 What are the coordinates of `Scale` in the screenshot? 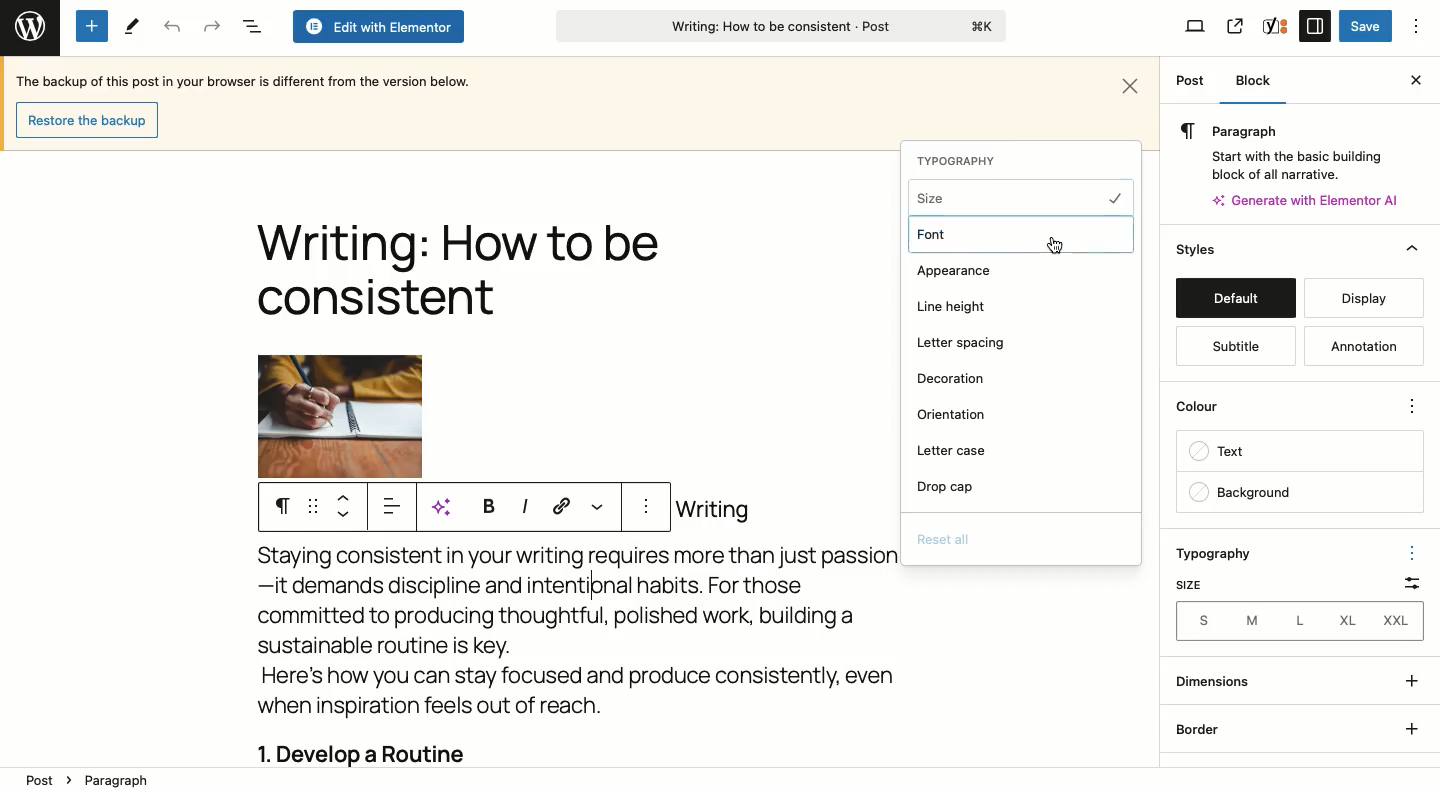 It's located at (1412, 583).